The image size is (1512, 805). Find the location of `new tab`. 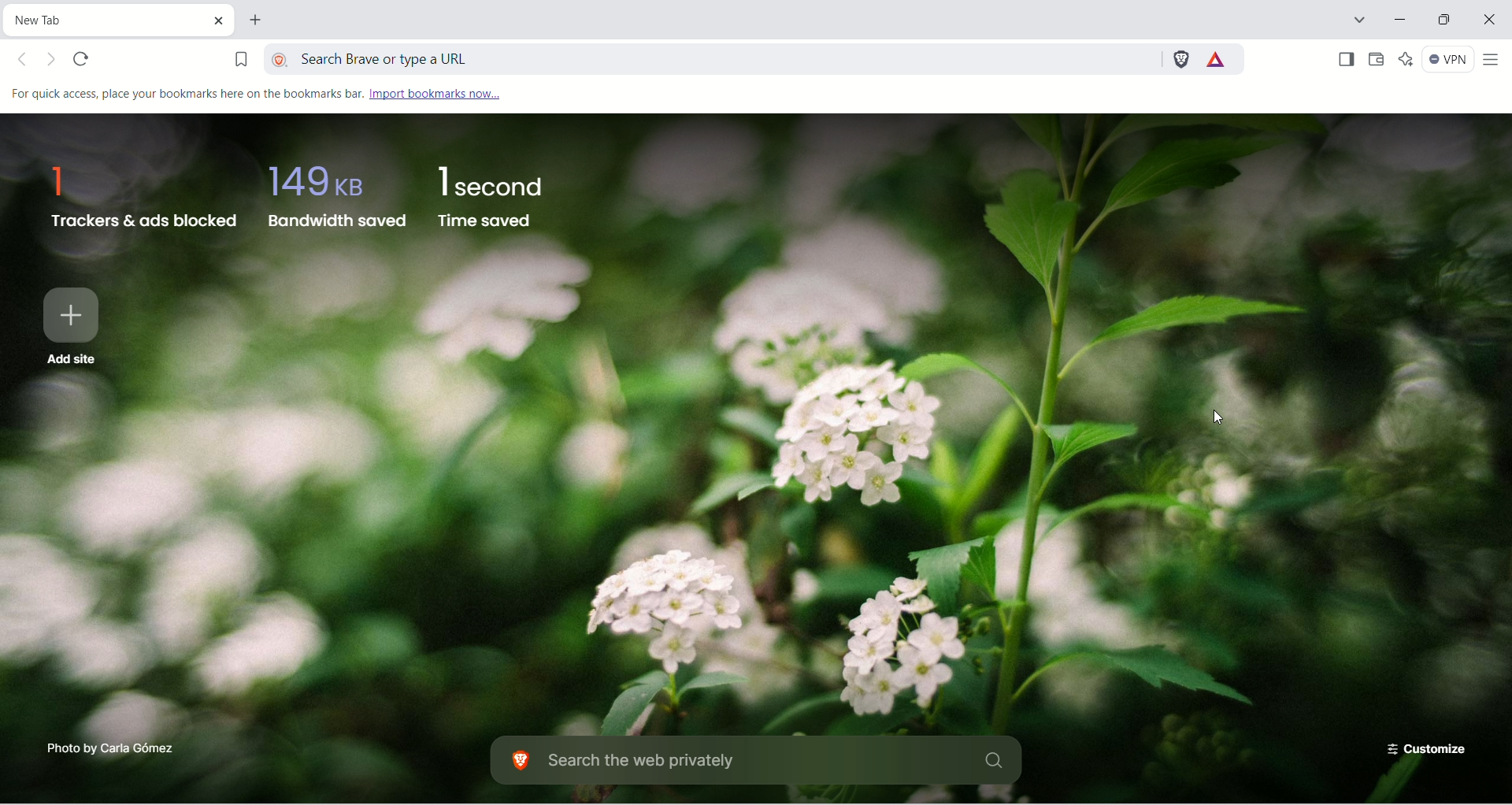

new tab is located at coordinates (254, 18).